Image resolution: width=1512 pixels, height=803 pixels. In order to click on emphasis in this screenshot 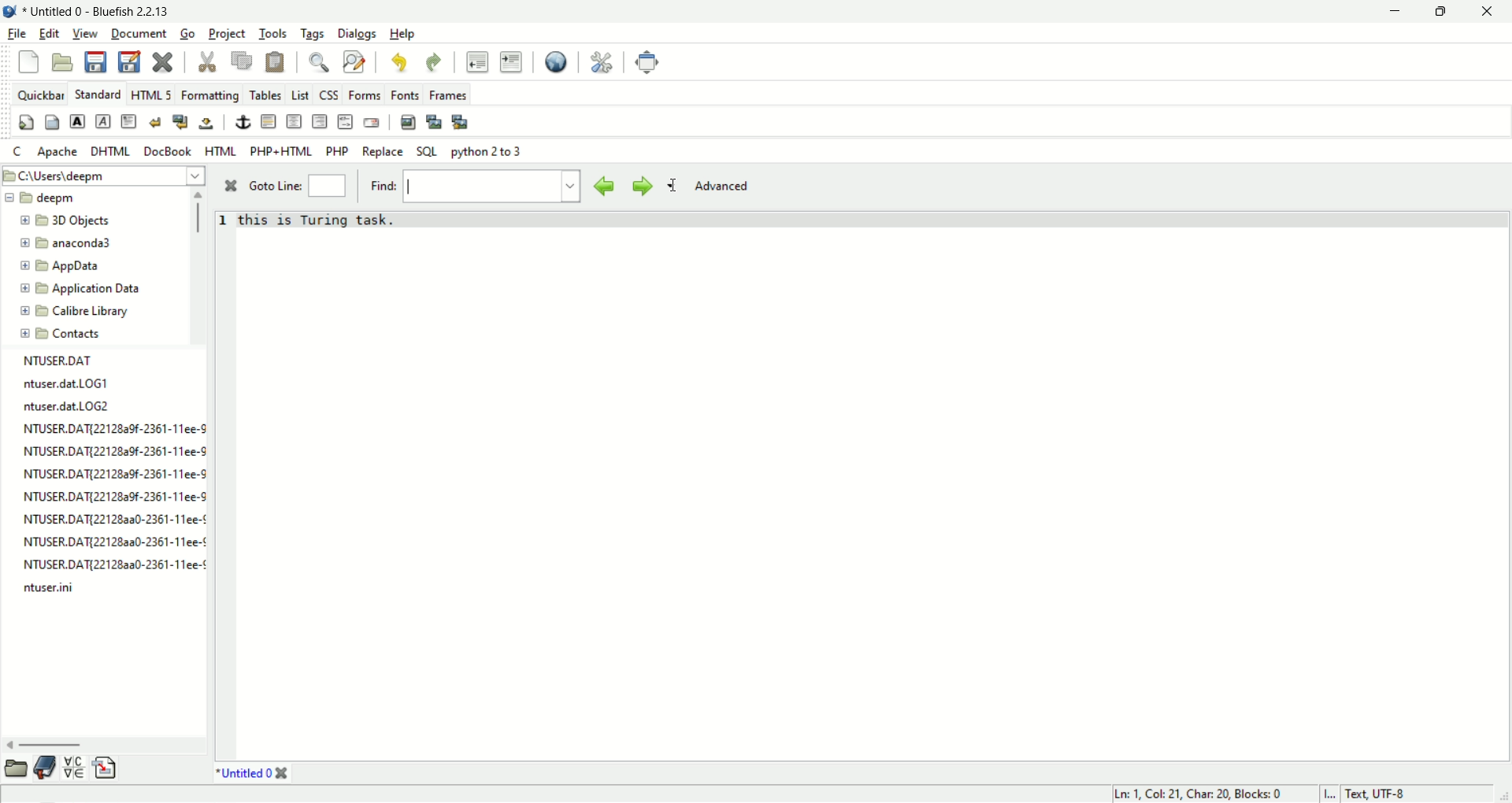, I will do `click(105, 122)`.